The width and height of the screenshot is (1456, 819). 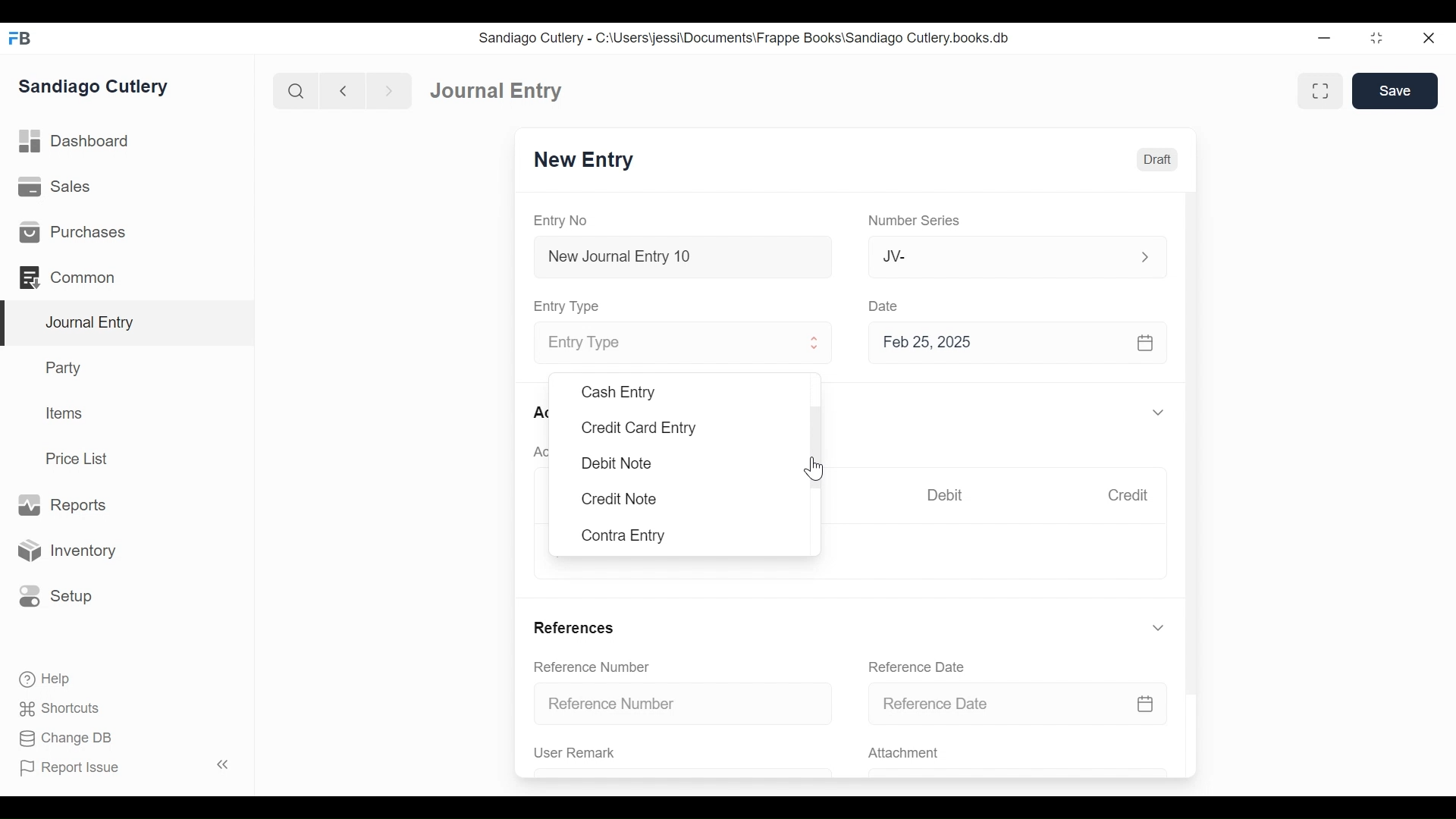 I want to click on References, so click(x=576, y=626).